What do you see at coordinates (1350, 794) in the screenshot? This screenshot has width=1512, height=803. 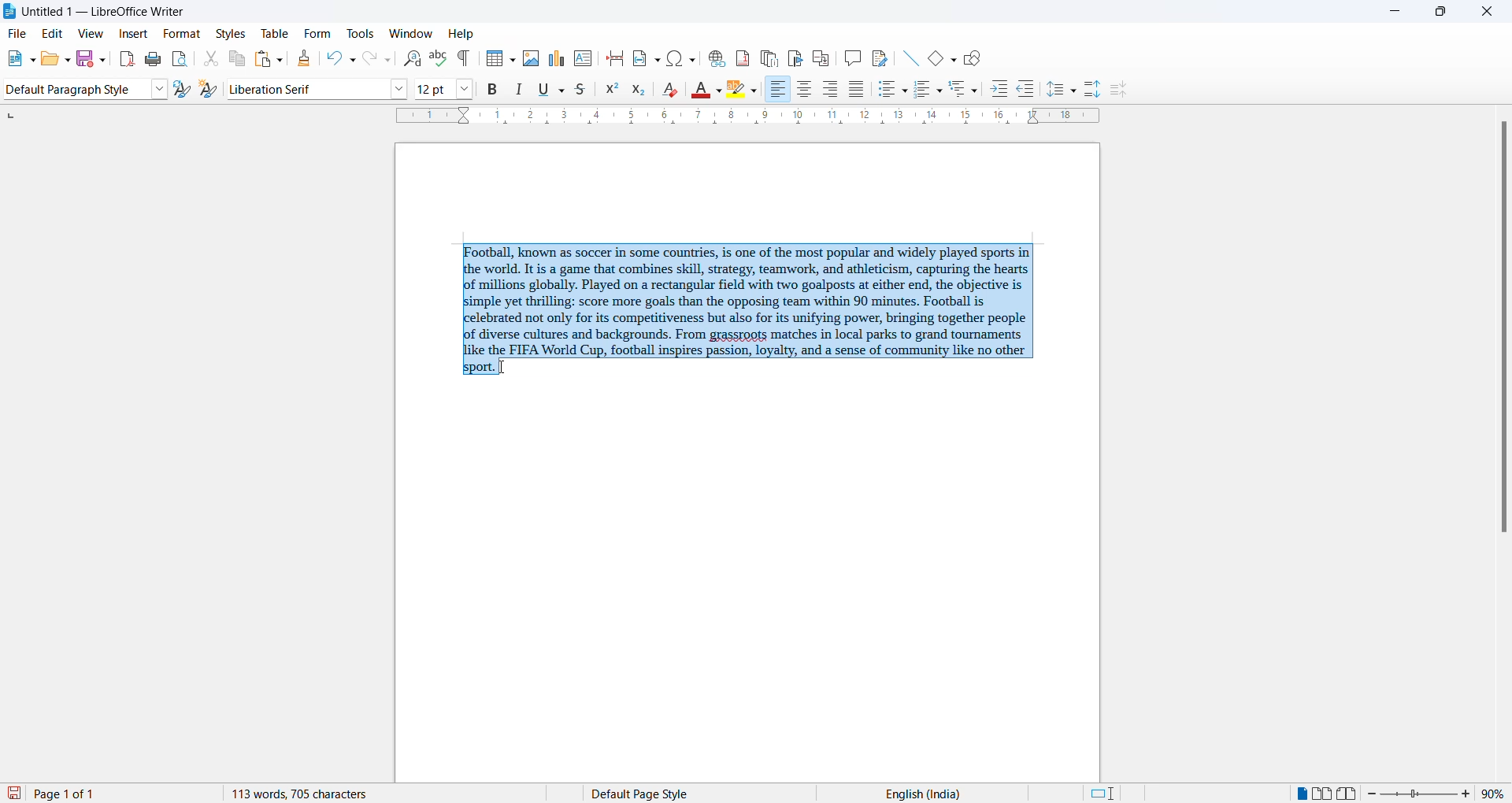 I see `book view` at bounding box center [1350, 794].